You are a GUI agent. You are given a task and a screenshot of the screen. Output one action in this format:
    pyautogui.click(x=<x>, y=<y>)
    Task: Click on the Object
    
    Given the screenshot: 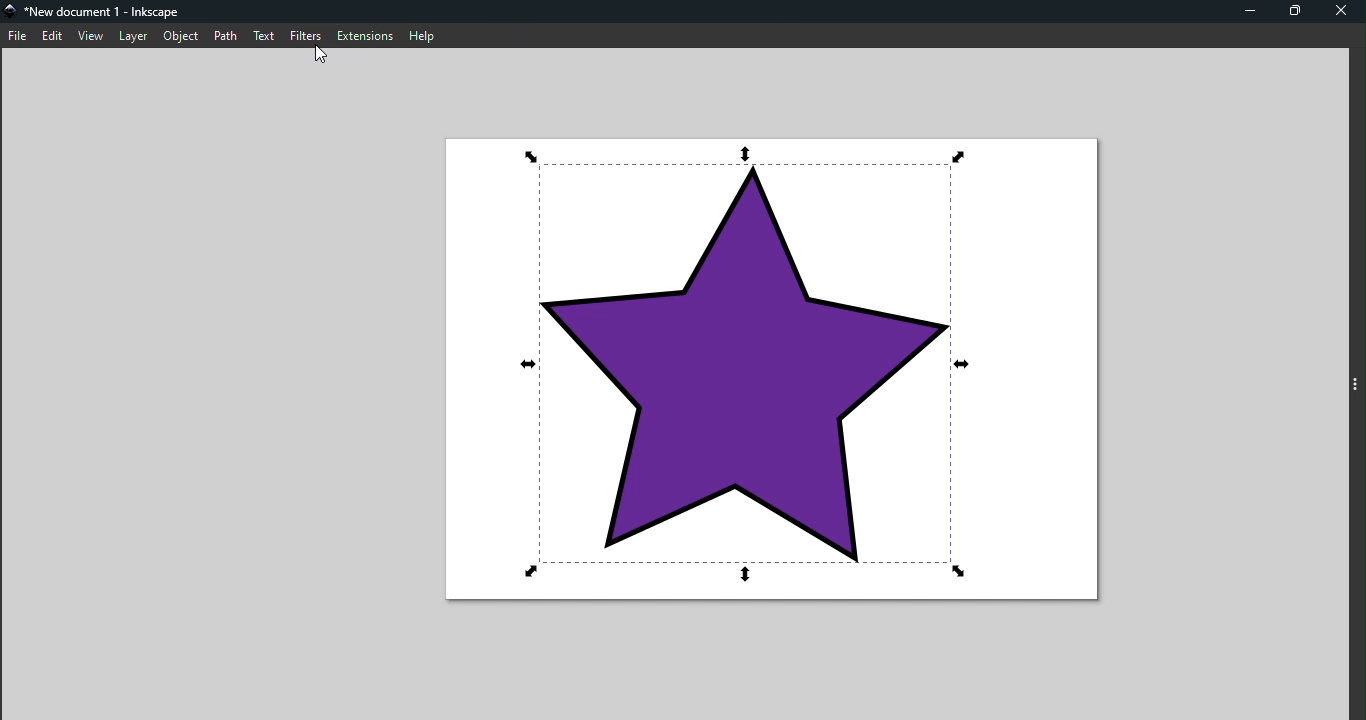 What is the action you would take?
    pyautogui.click(x=183, y=36)
    